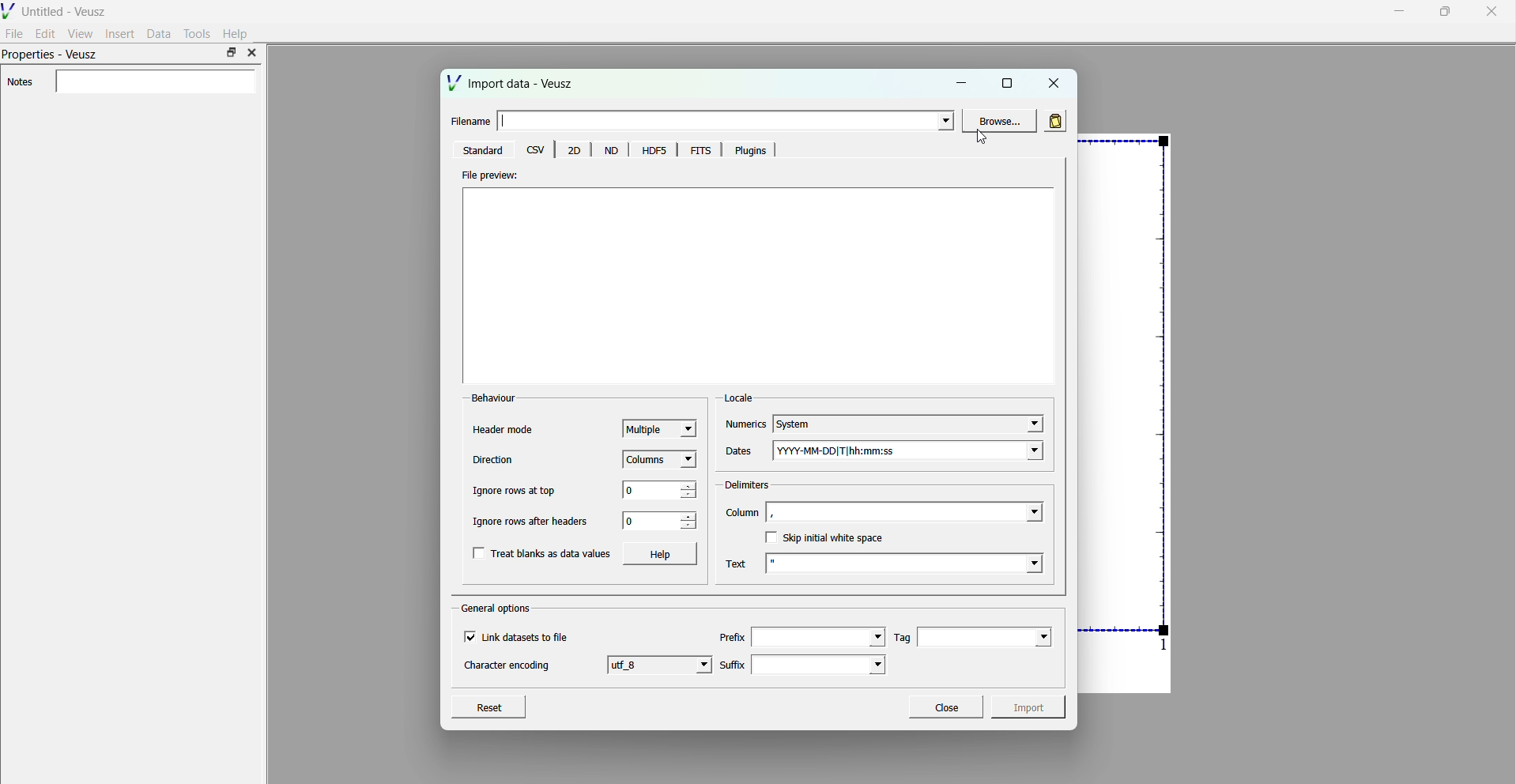  What do you see at coordinates (15, 32) in the screenshot?
I see `File` at bounding box center [15, 32].